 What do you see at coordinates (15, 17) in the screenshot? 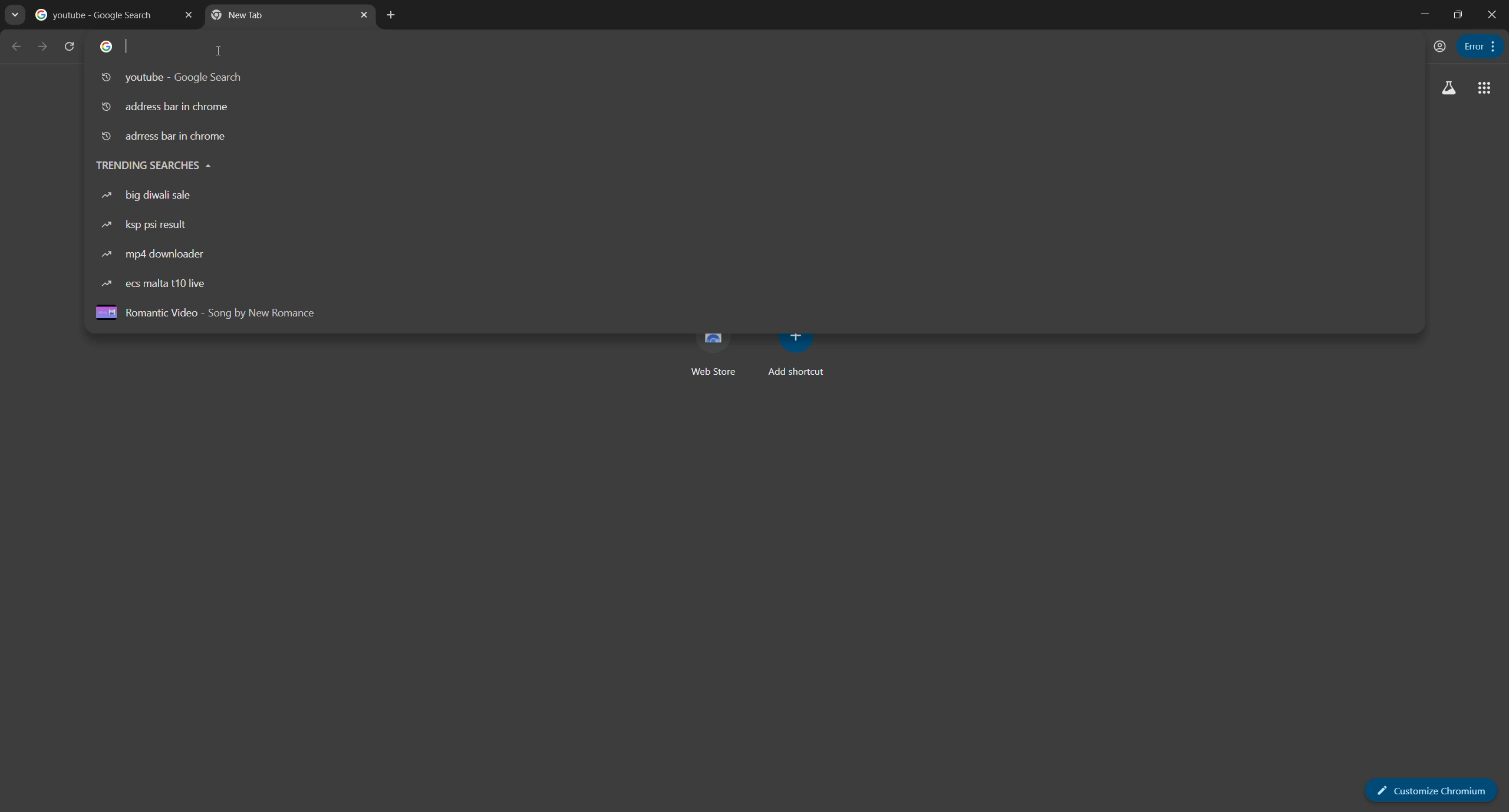
I see `search tabs` at bounding box center [15, 17].